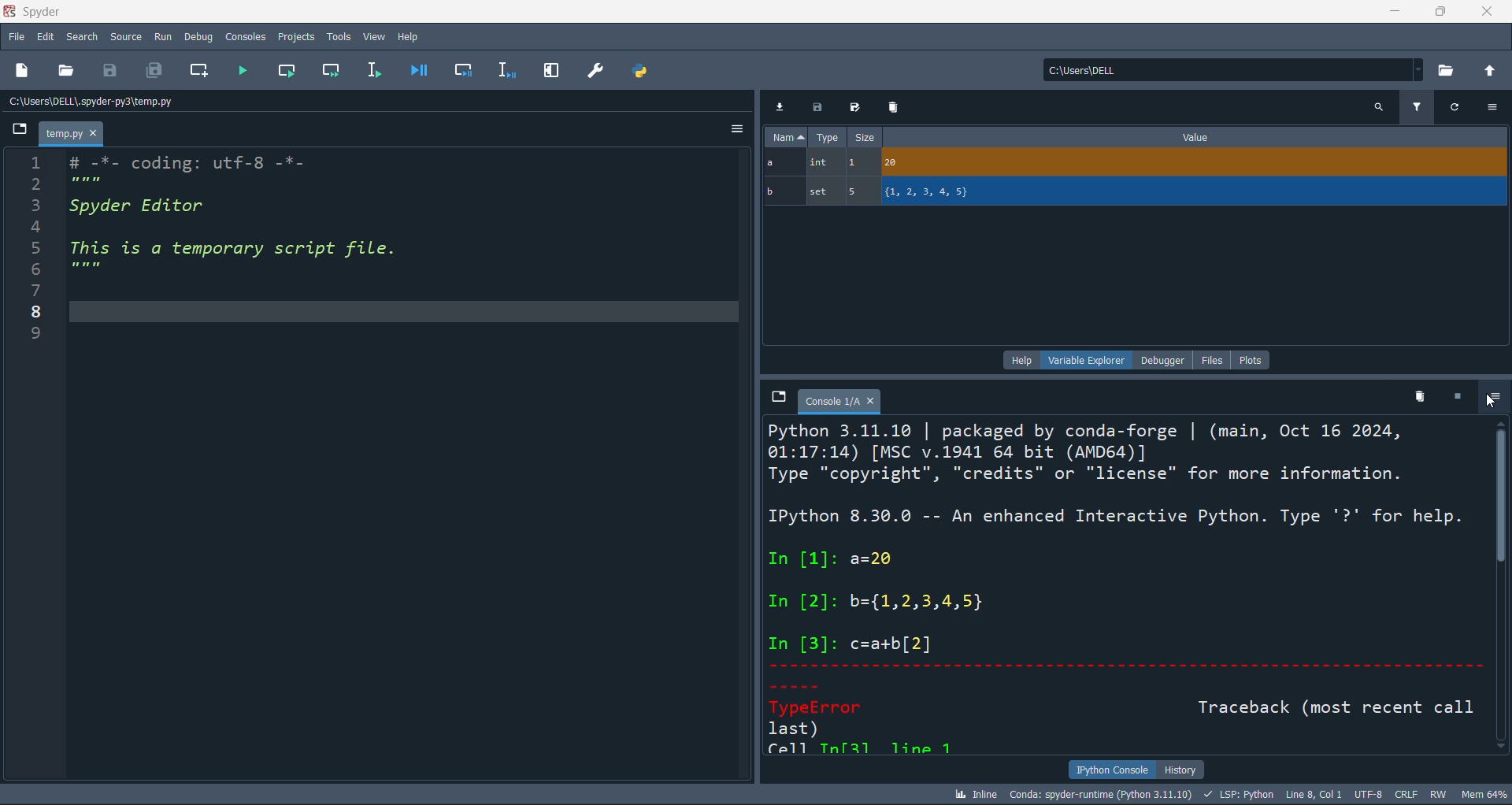 The height and width of the screenshot is (805, 1512). What do you see at coordinates (1407, 796) in the screenshot?
I see `CRLF` at bounding box center [1407, 796].